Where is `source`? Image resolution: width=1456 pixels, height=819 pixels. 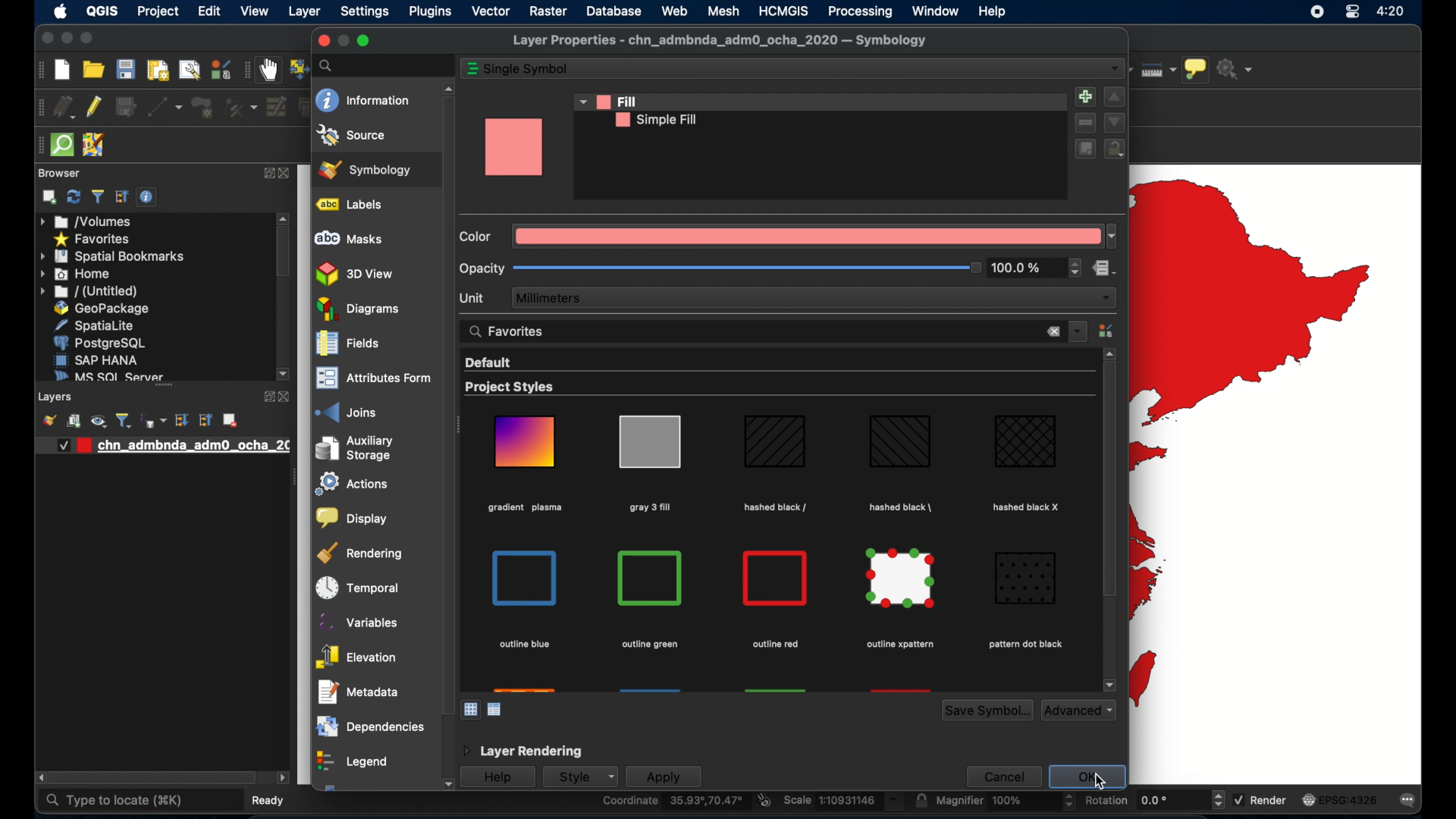 source is located at coordinates (352, 135).